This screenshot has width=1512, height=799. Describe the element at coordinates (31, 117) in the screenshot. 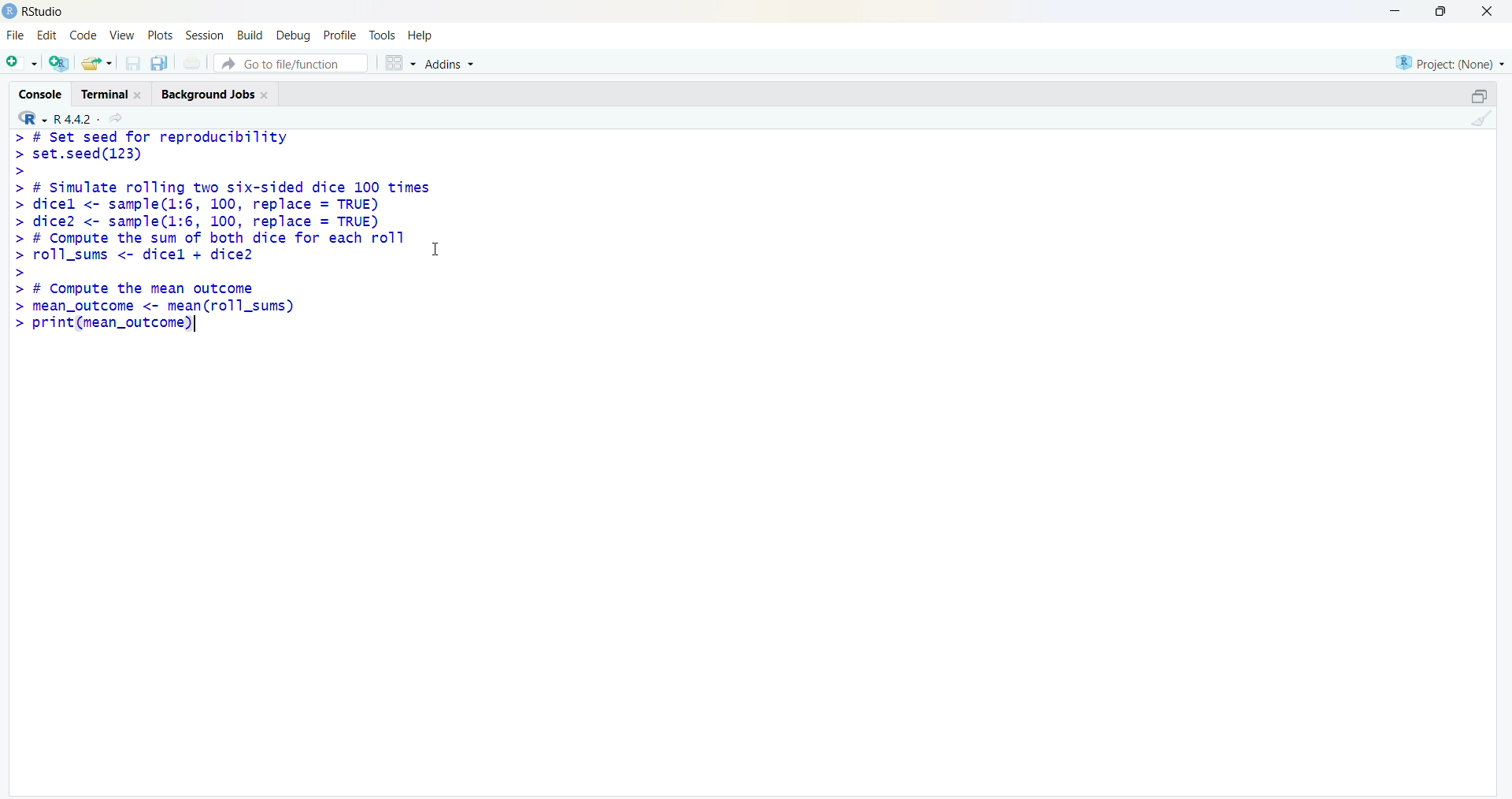

I see `R` at that location.